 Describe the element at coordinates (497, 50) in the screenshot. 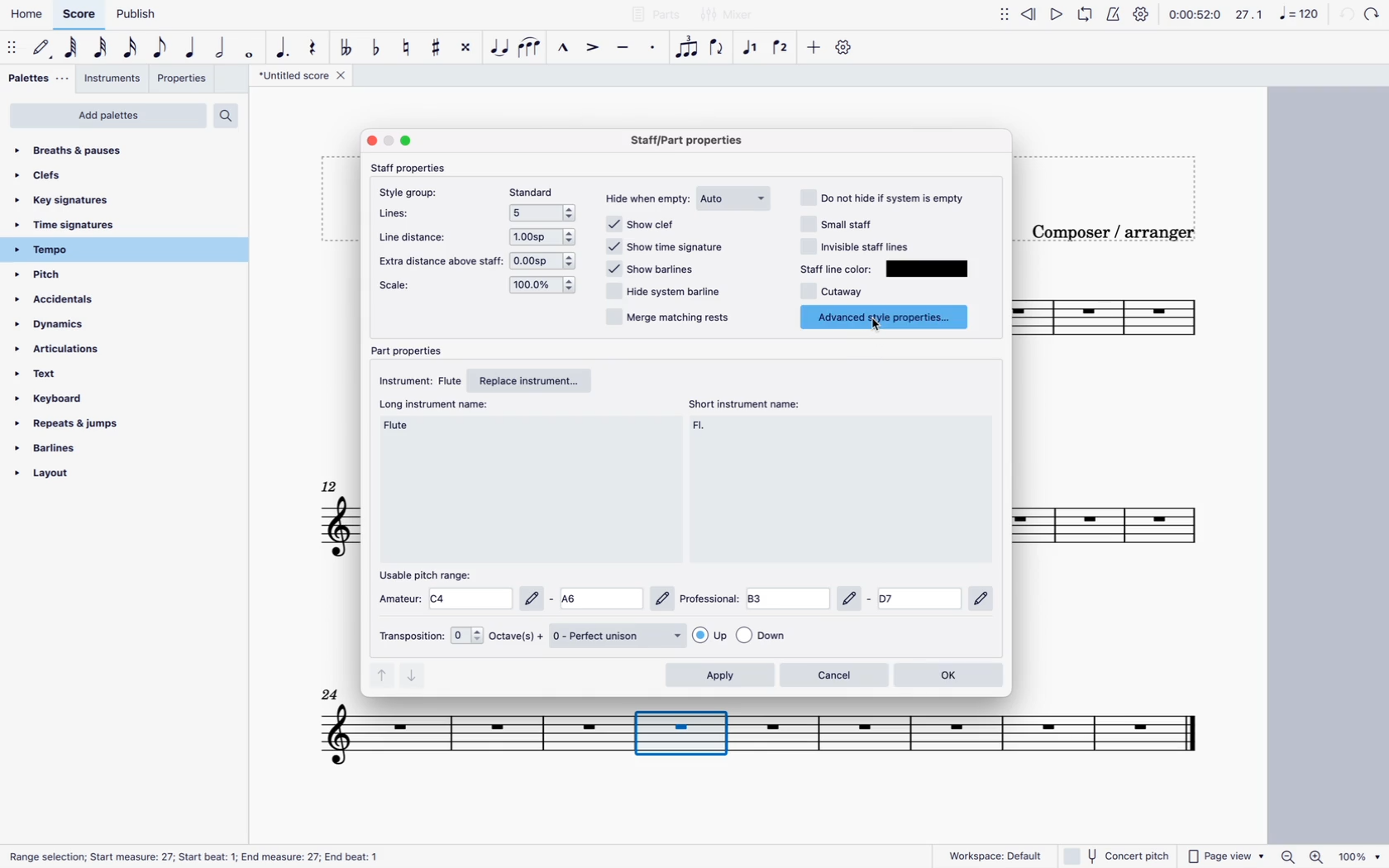

I see `tie` at that location.